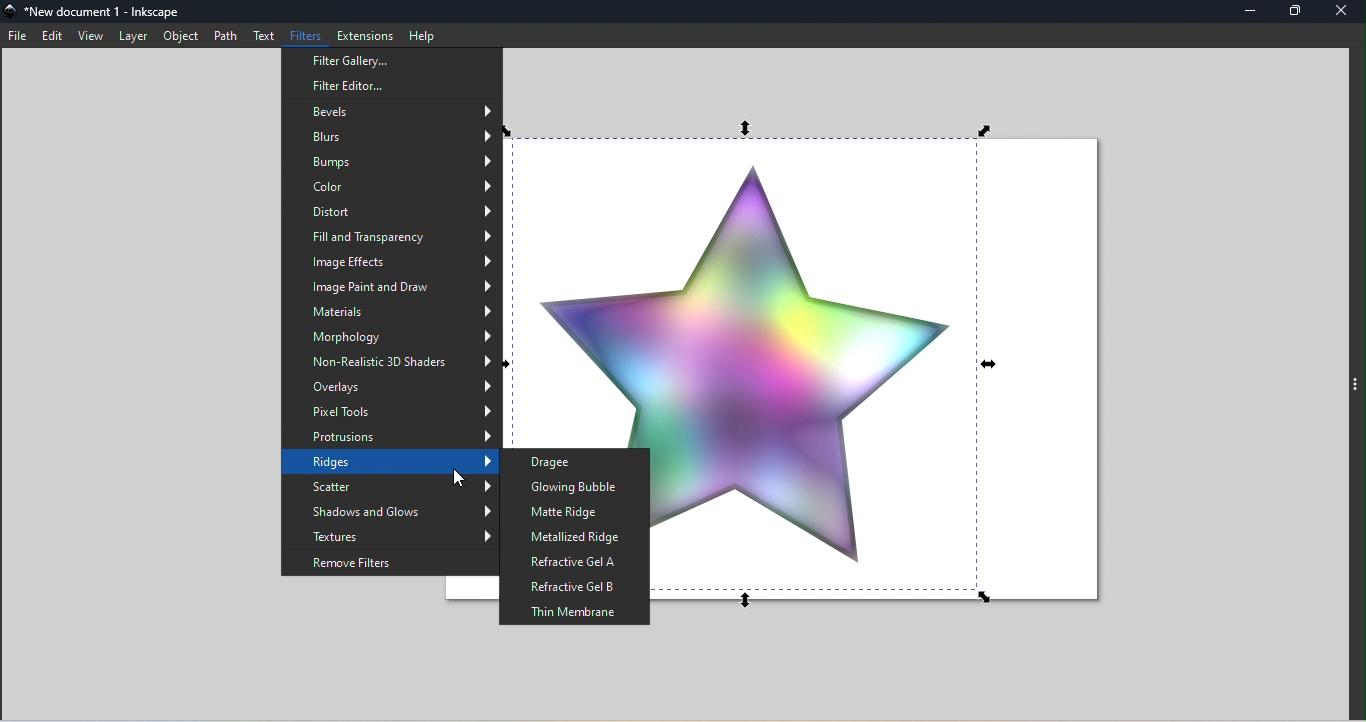  What do you see at coordinates (392, 537) in the screenshot?
I see `Textures` at bounding box center [392, 537].